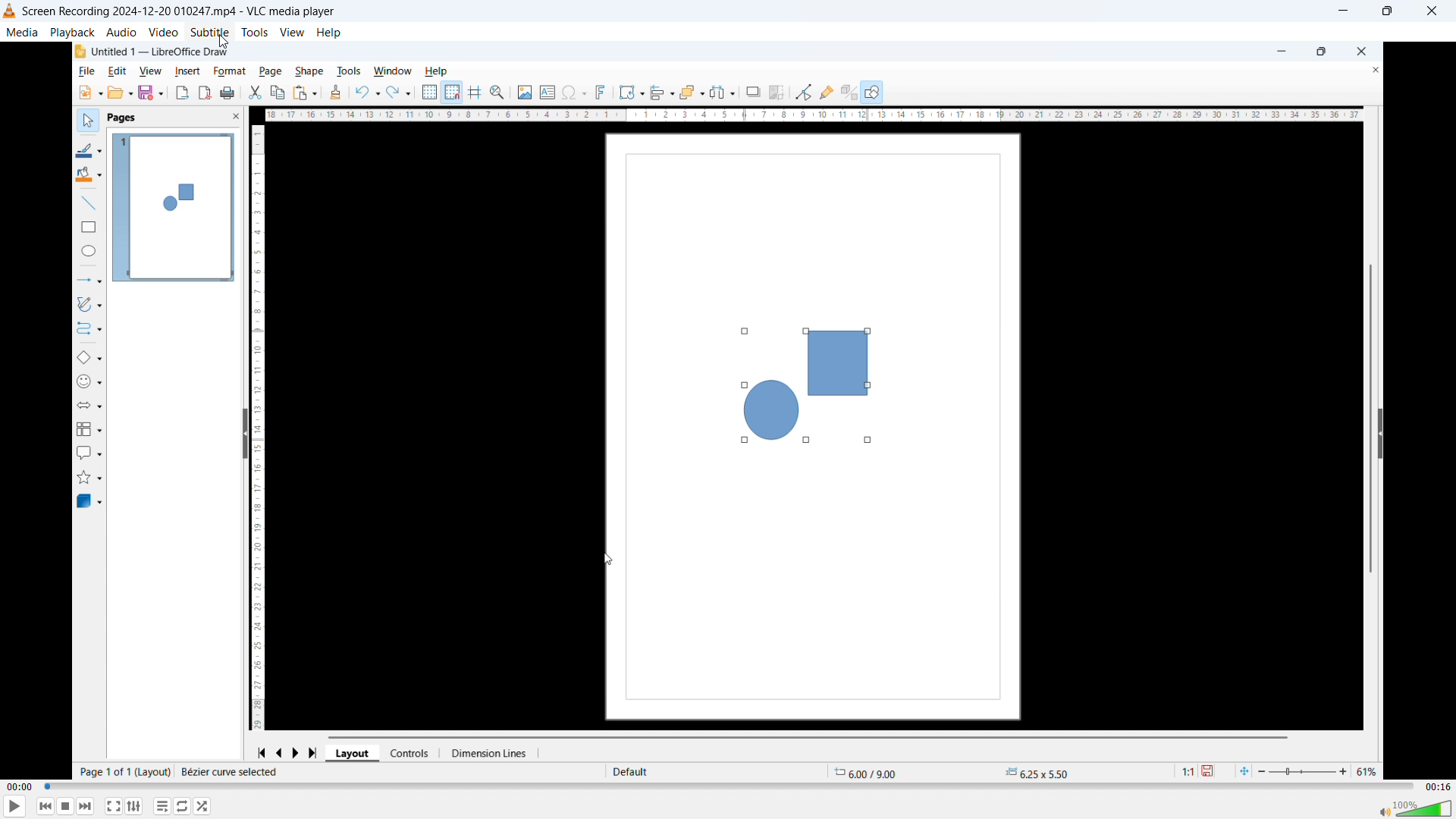 The width and height of the screenshot is (1456, 819). What do you see at coordinates (367, 92) in the screenshot?
I see `undo` at bounding box center [367, 92].